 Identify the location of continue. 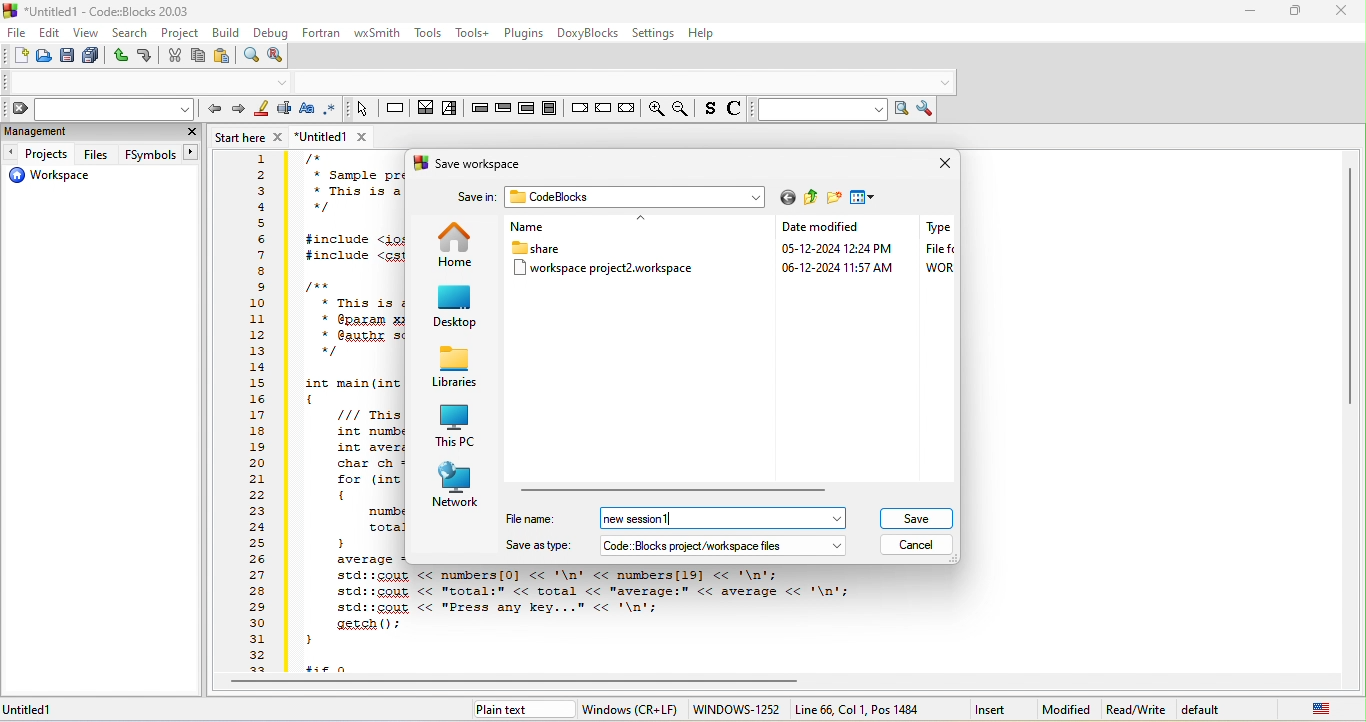
(602, 106).